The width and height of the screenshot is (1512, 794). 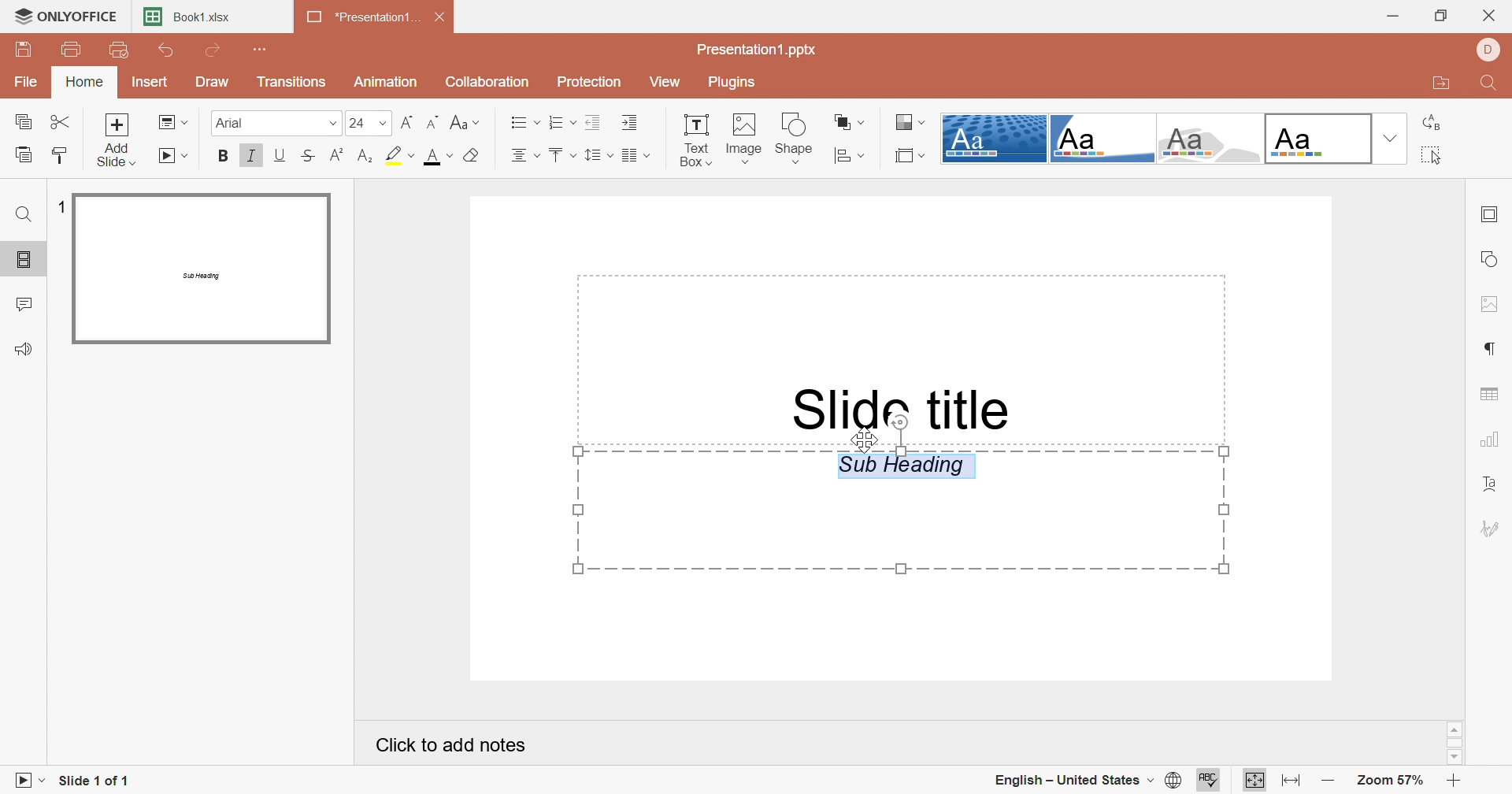 What do you see at coordinates (669, 80) in the screenshot?
I see `View` at bounding box center [669, 80].